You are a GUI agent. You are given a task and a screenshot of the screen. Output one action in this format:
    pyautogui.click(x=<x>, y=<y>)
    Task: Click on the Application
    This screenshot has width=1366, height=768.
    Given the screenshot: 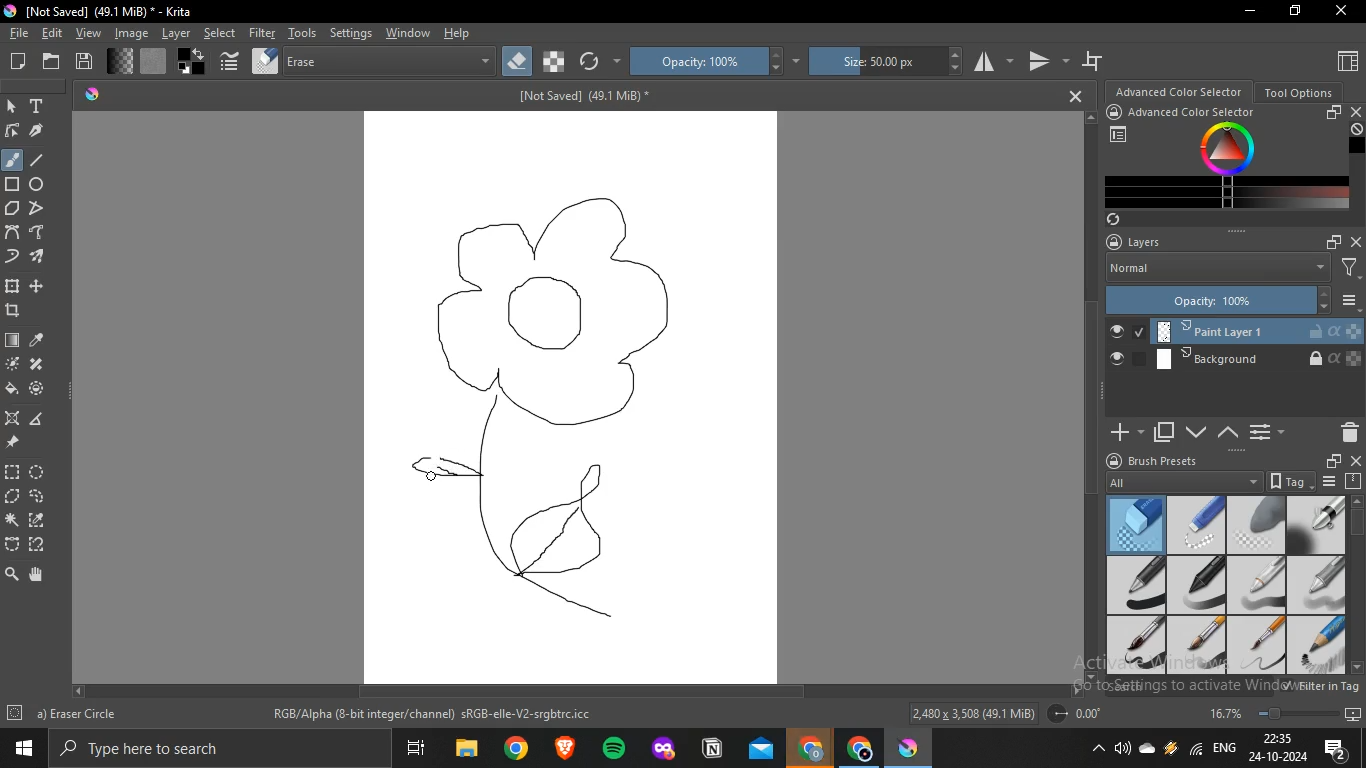 What is the action you would take?
    pyautogui.click(x=516, y=749)
    